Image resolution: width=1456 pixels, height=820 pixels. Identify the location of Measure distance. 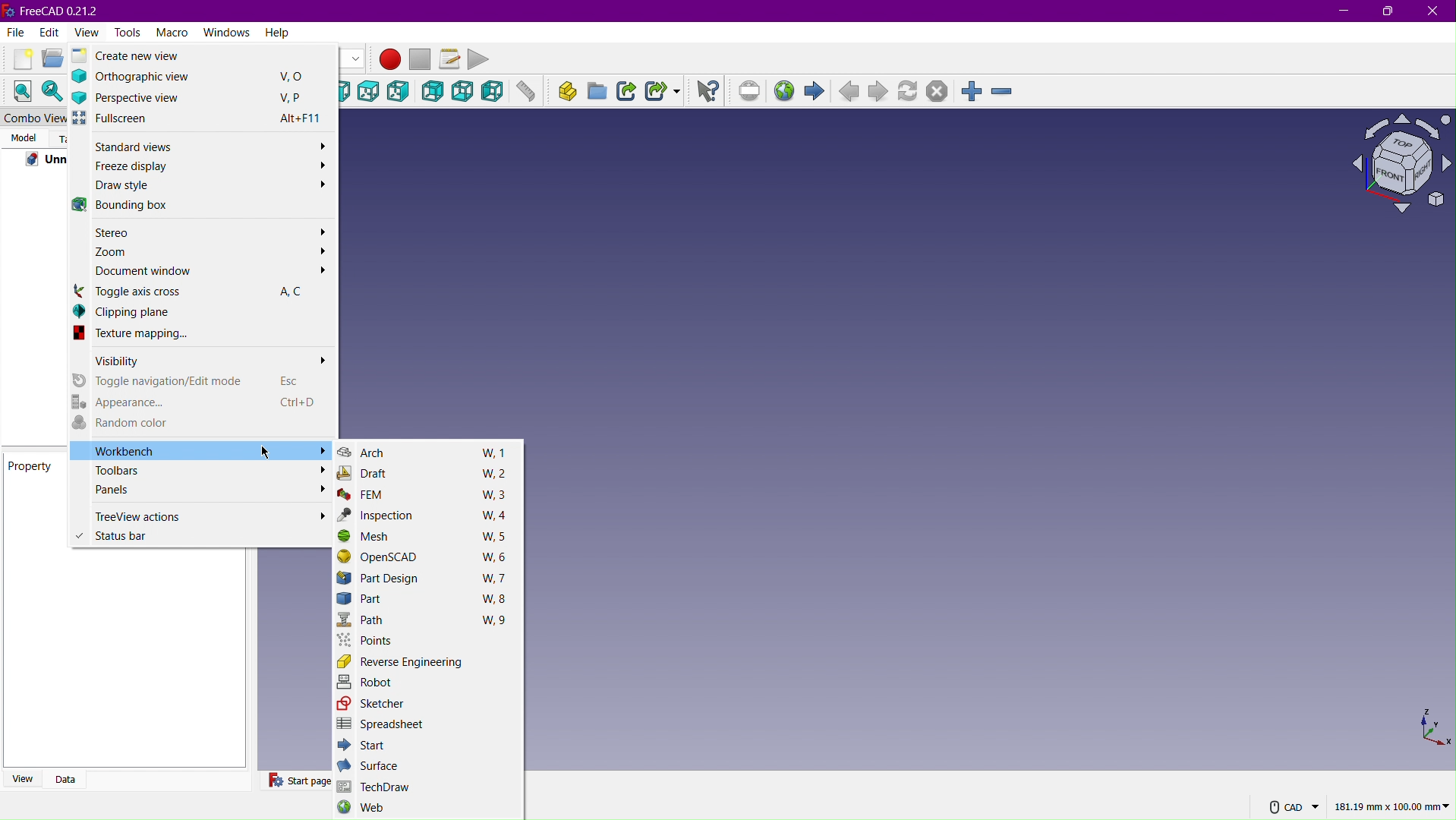
(531, 92).